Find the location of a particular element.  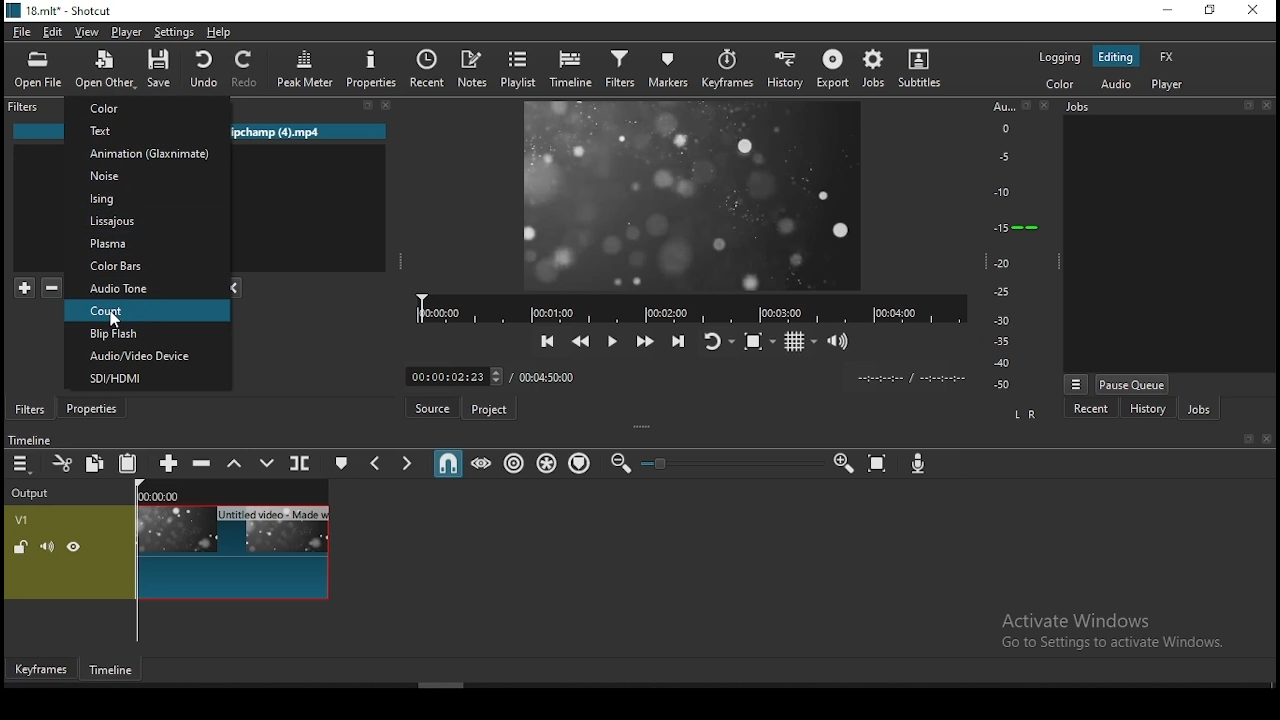

split at playhead is located at coordinates (299, 462).